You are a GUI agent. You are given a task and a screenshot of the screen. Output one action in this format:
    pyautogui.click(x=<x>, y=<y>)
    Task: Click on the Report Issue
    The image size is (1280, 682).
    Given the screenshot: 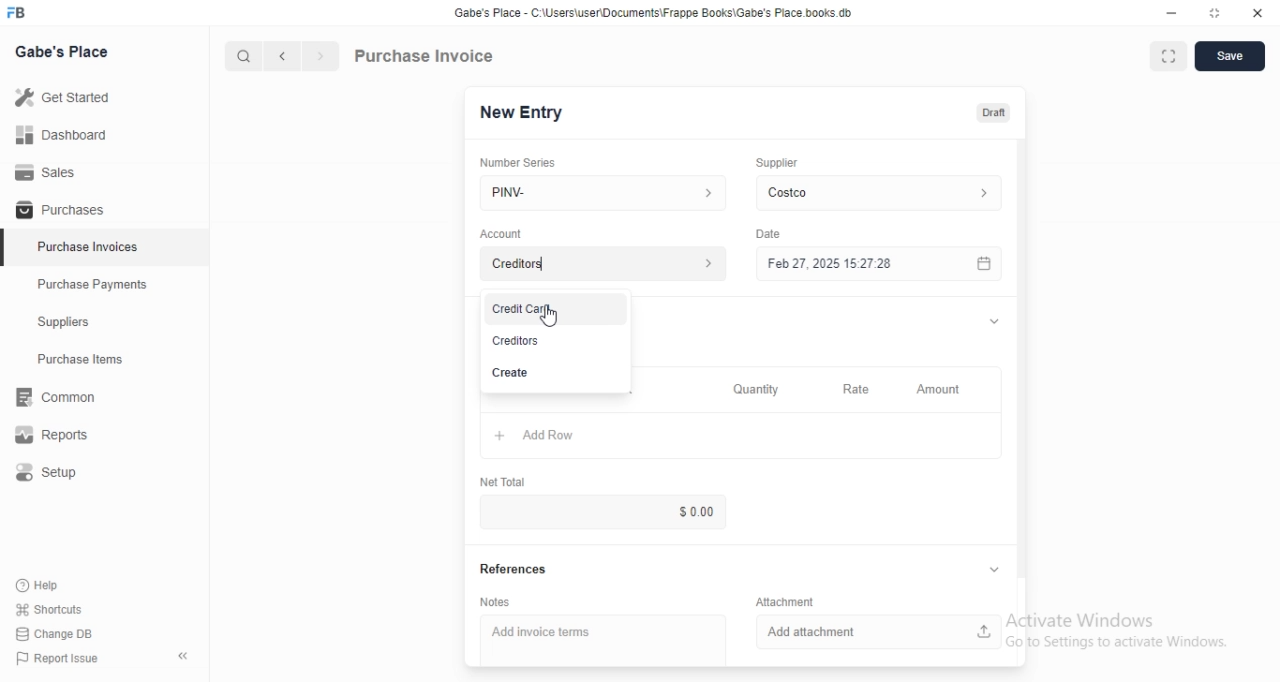 What is the action you would take?
    pyautogui.click(x=58, y=658)
    